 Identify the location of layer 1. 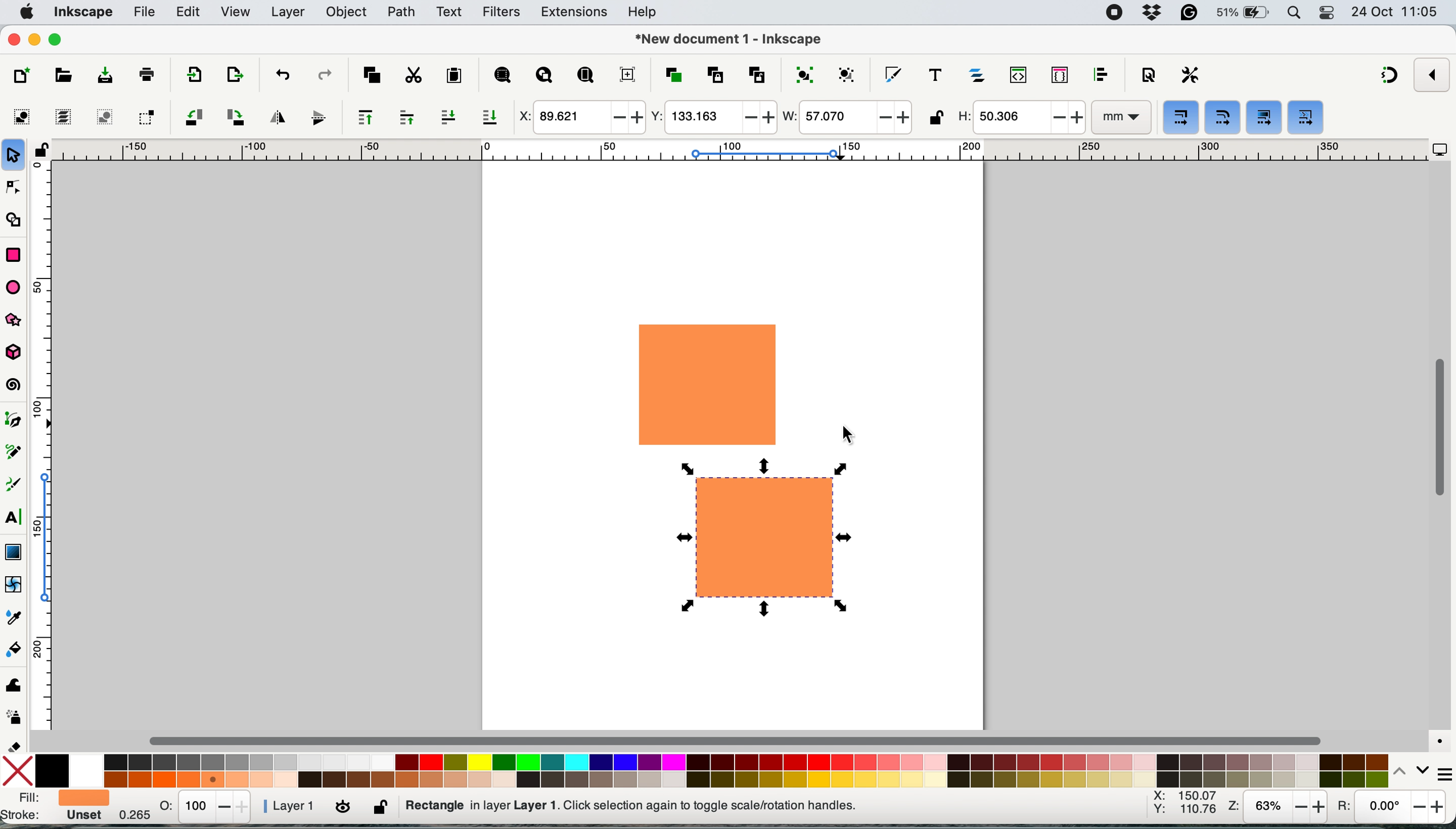
(290, 806).